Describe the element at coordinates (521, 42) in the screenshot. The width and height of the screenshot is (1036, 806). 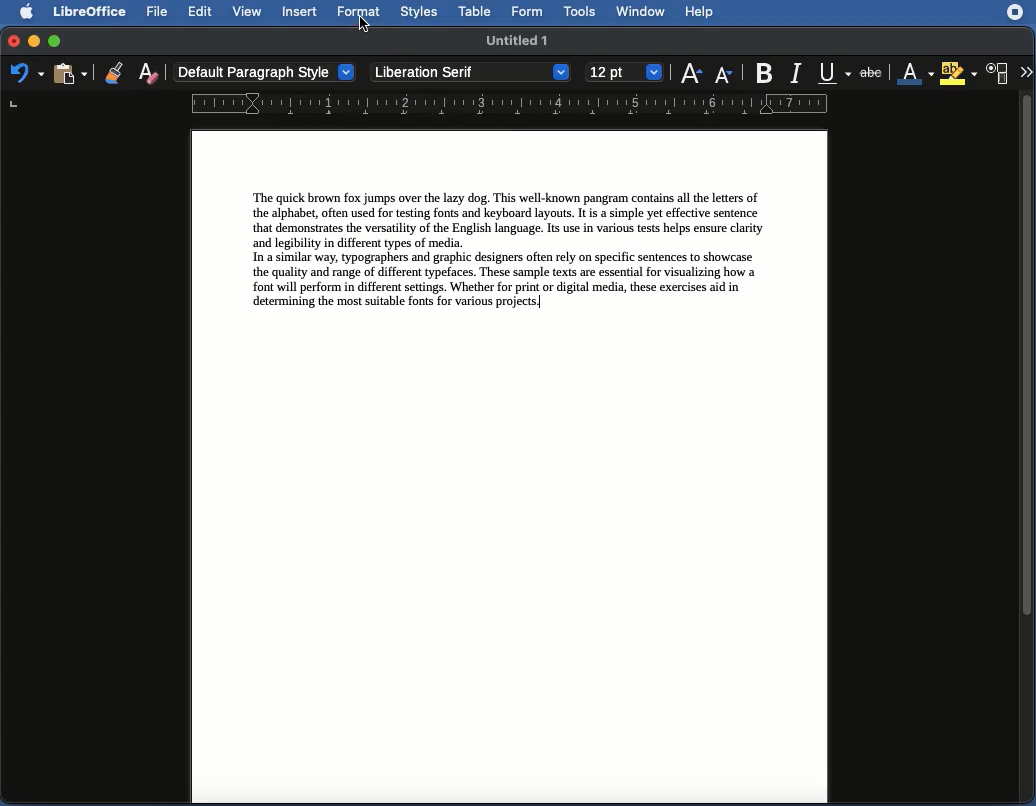
I see `Name` at that location.